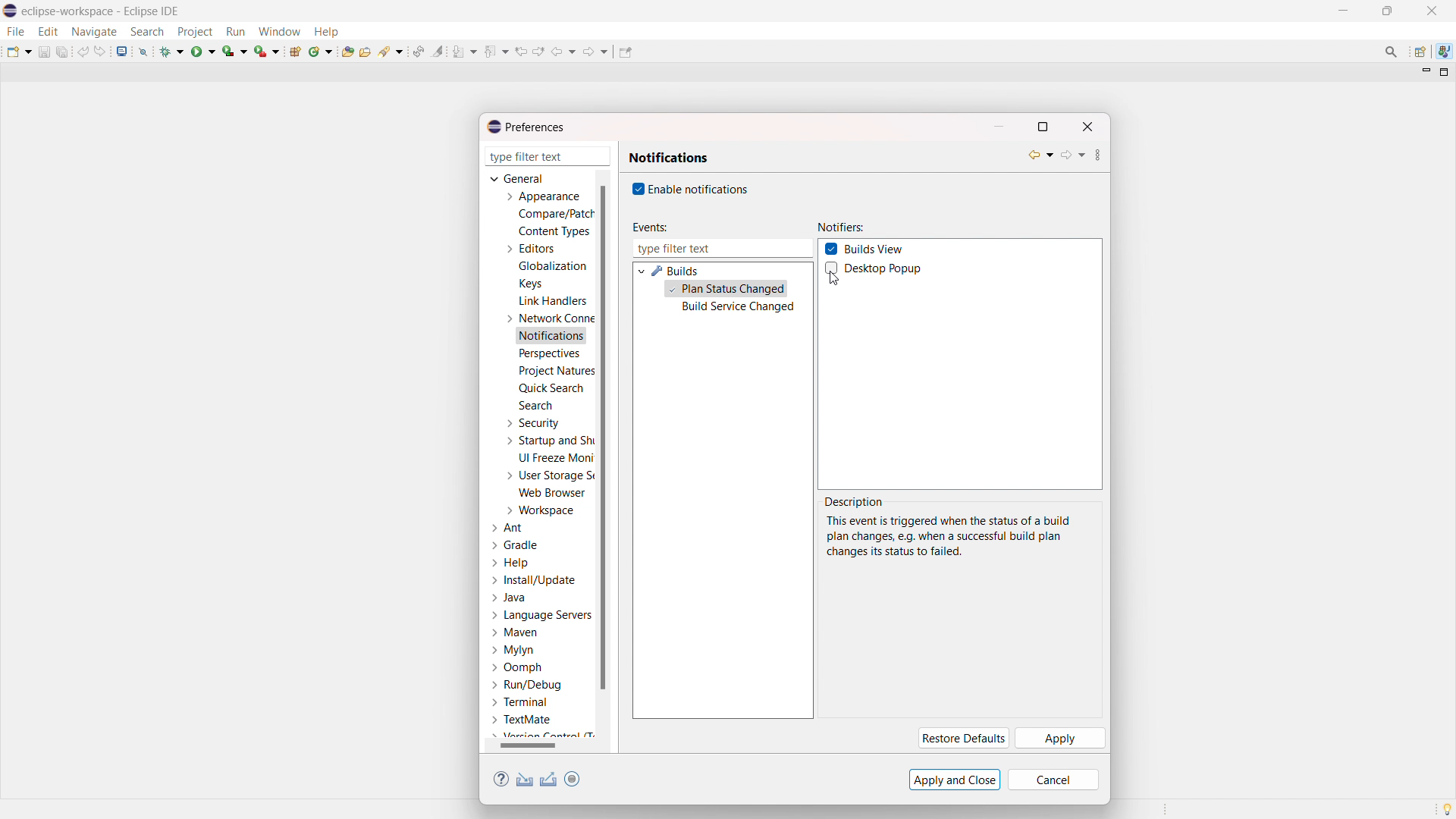 The image size is (1456, 819). What do you see at coordinates (726, 290) in the screenshot?
I see `plan status changed` at bounding box center [726, 290].